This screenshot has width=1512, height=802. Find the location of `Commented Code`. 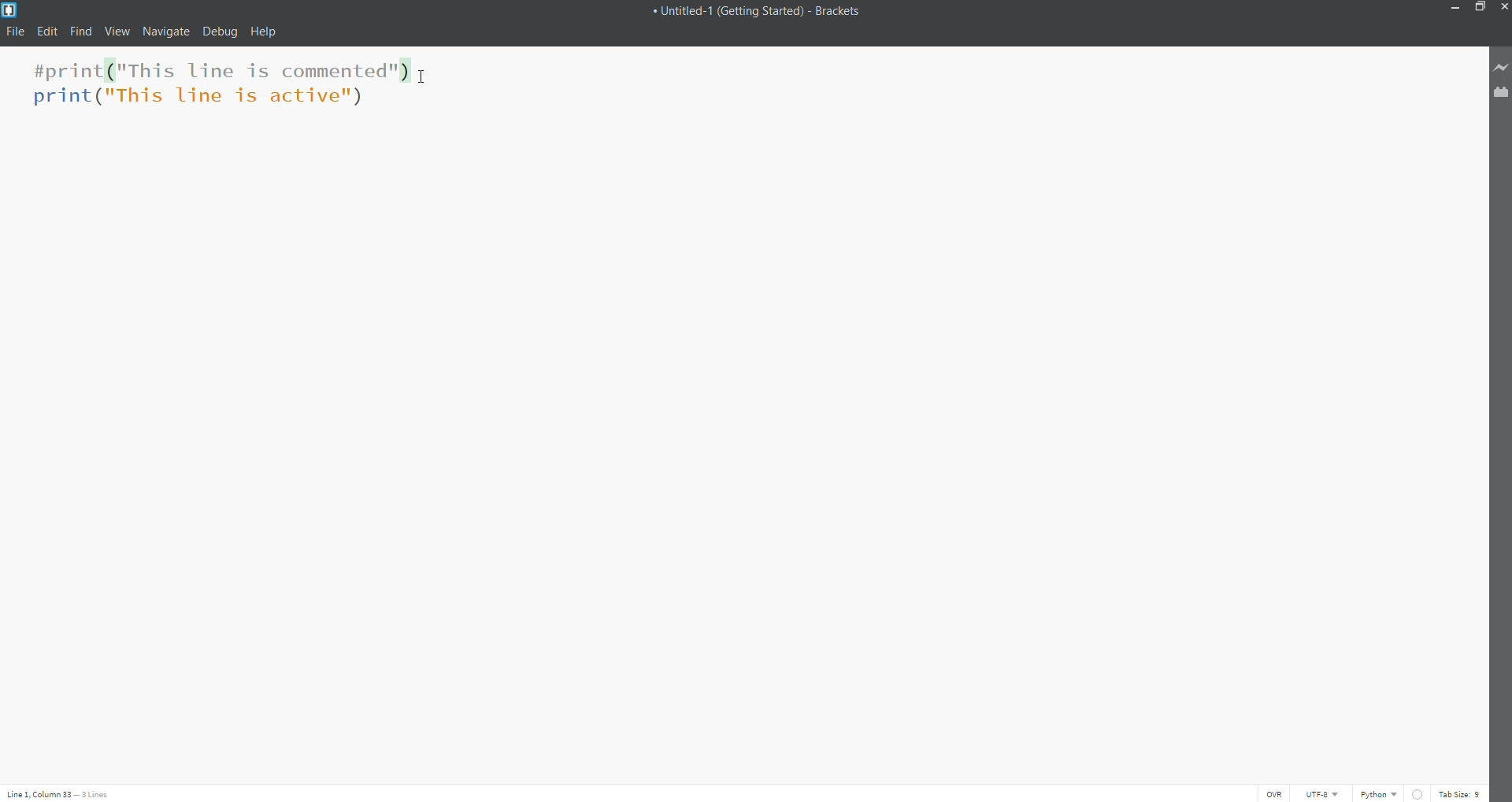

Commented Code is located at coordinates (217, 70).